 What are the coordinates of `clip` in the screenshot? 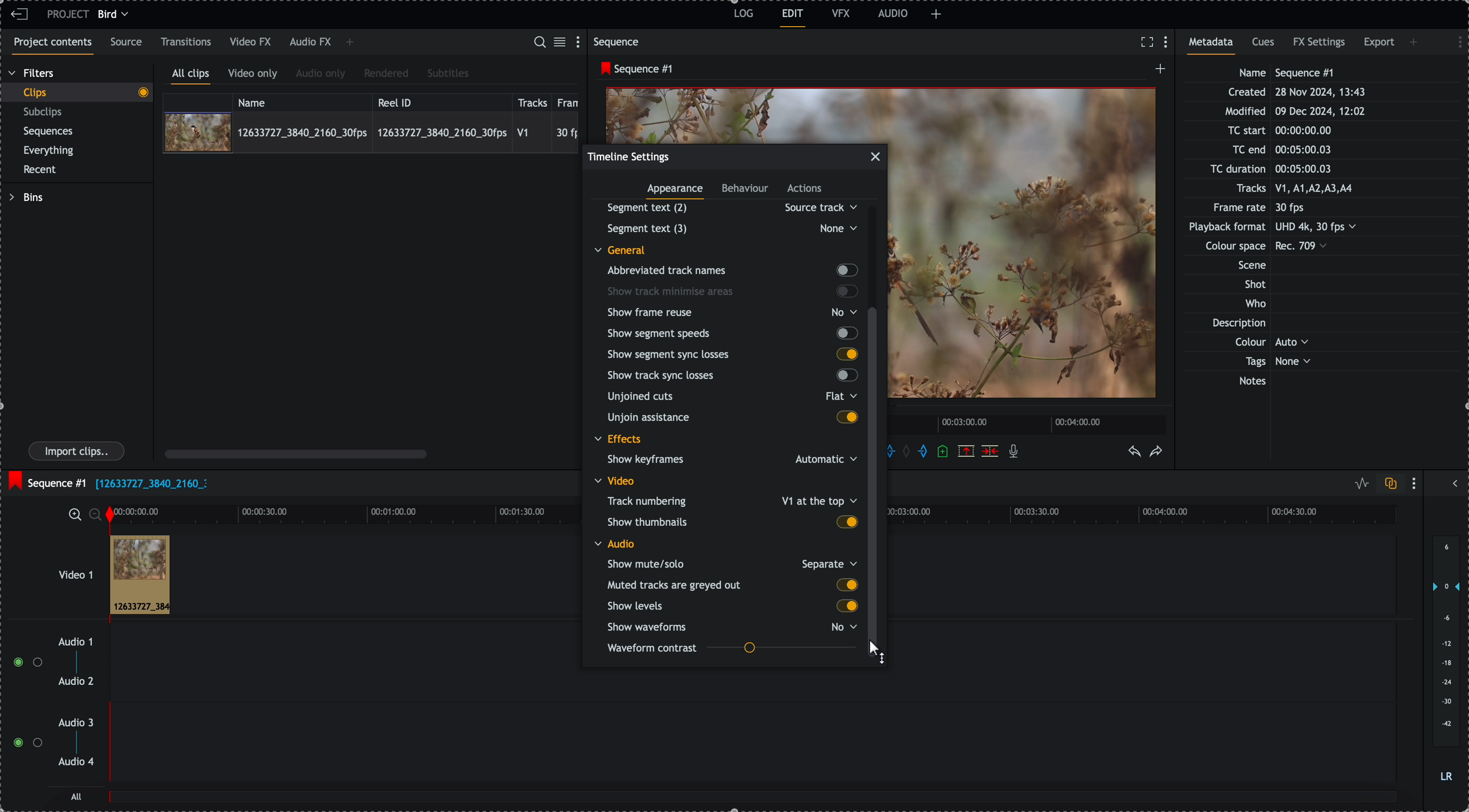 It's located at (140, 575).